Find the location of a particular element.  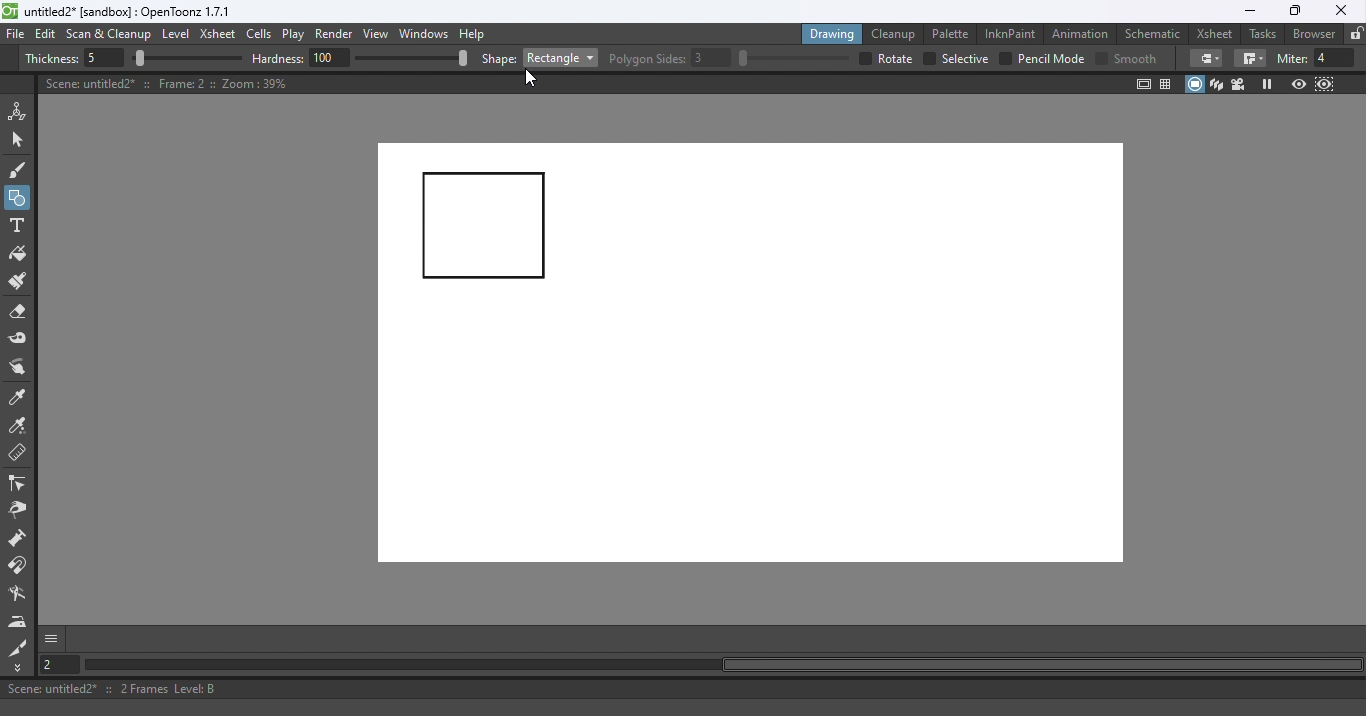

100 is located at coordinates (330, 57).